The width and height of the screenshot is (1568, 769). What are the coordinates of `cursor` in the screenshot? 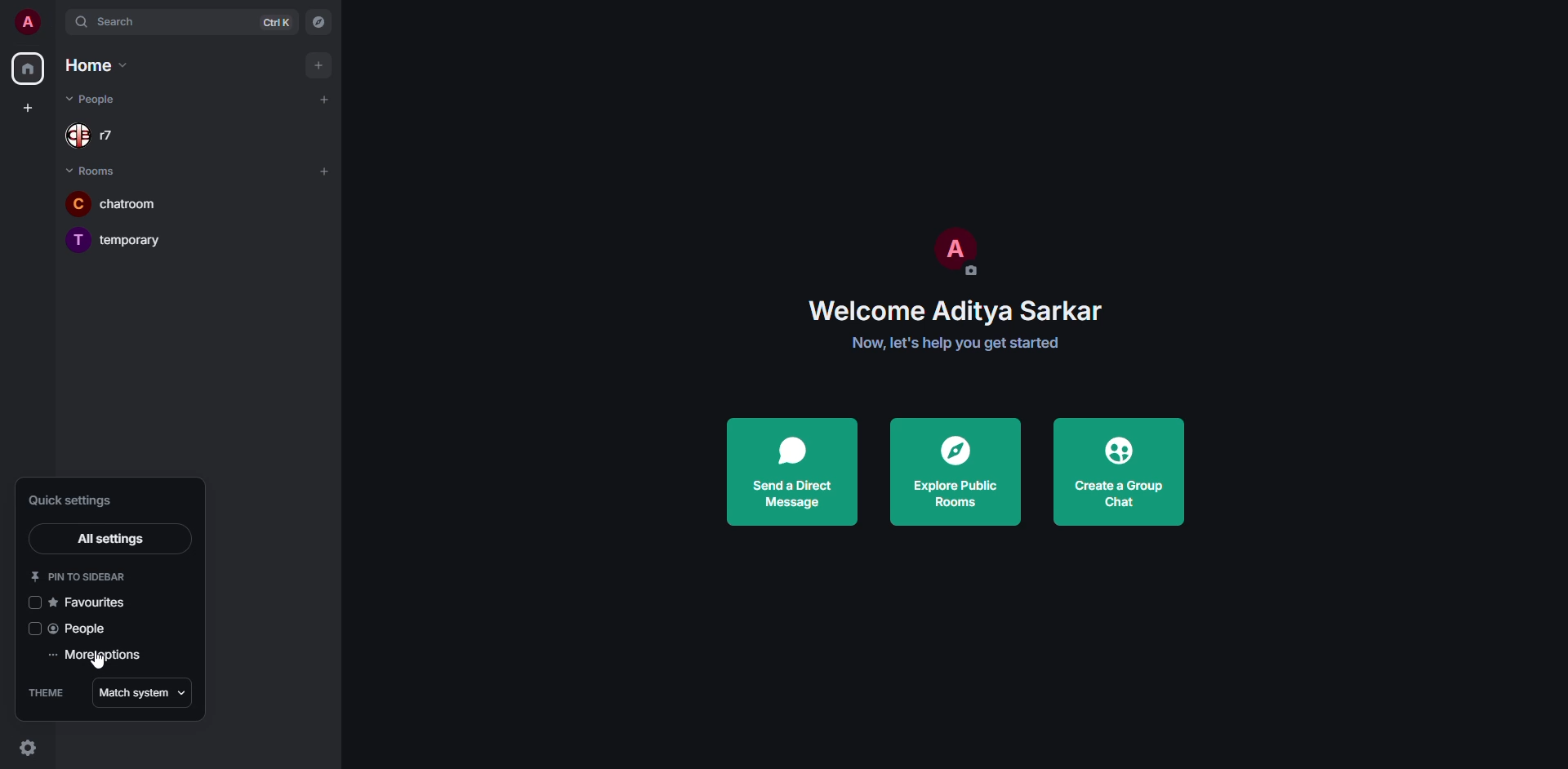 It's located at (98, 663).